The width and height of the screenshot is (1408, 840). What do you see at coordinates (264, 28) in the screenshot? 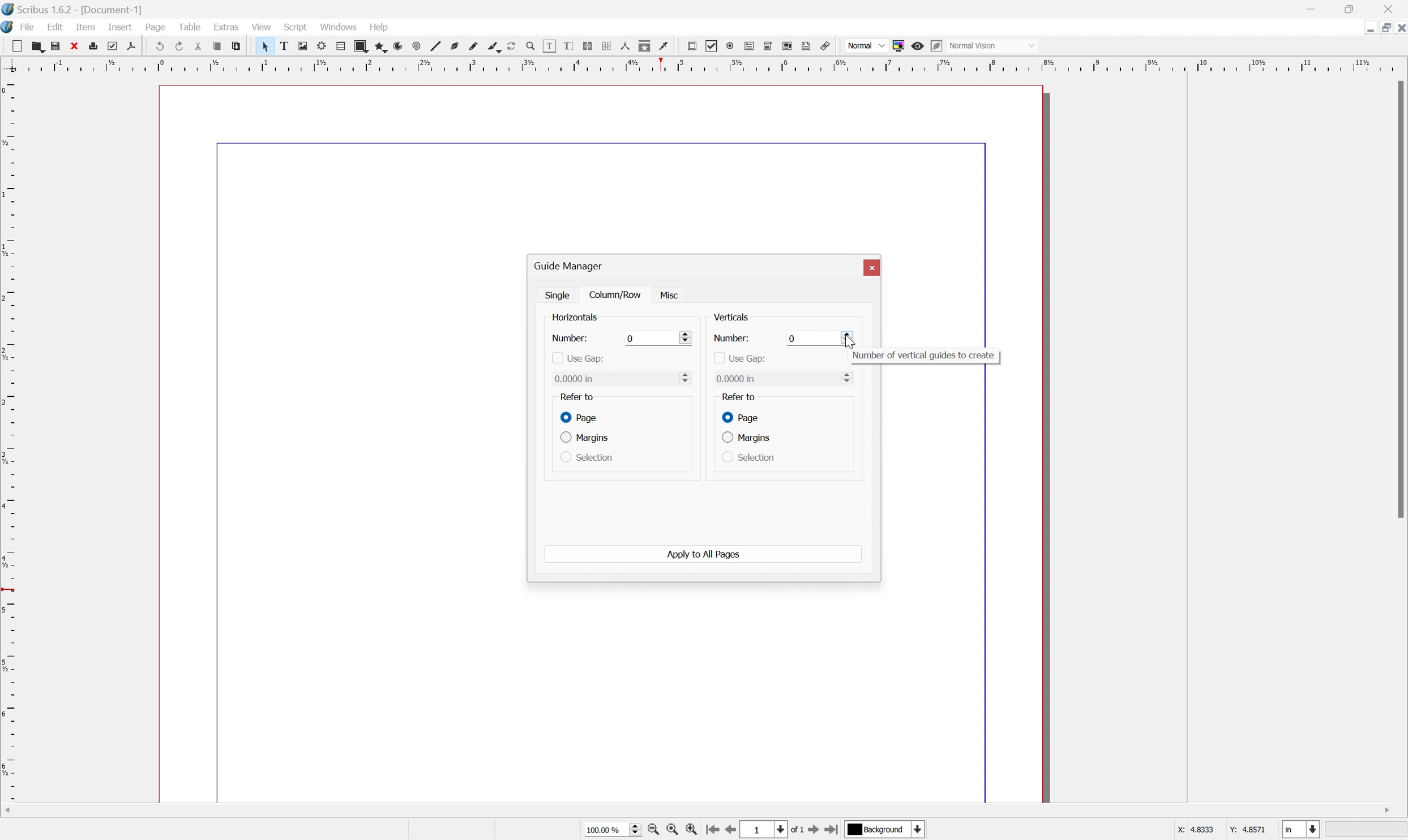
I see `view` at bounding box center [264, 28].